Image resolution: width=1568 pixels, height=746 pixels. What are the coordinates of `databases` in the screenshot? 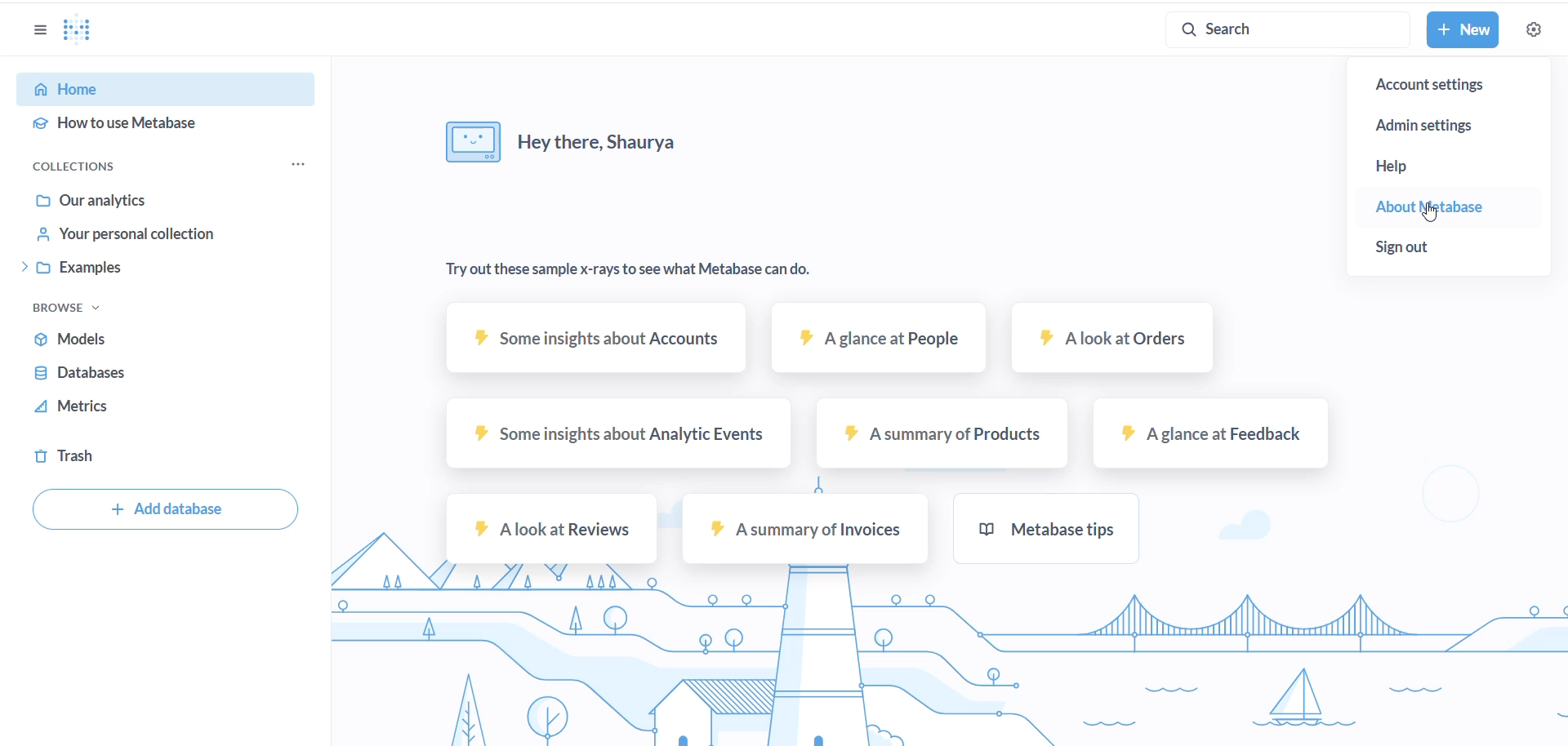 It's located at (145, 375).